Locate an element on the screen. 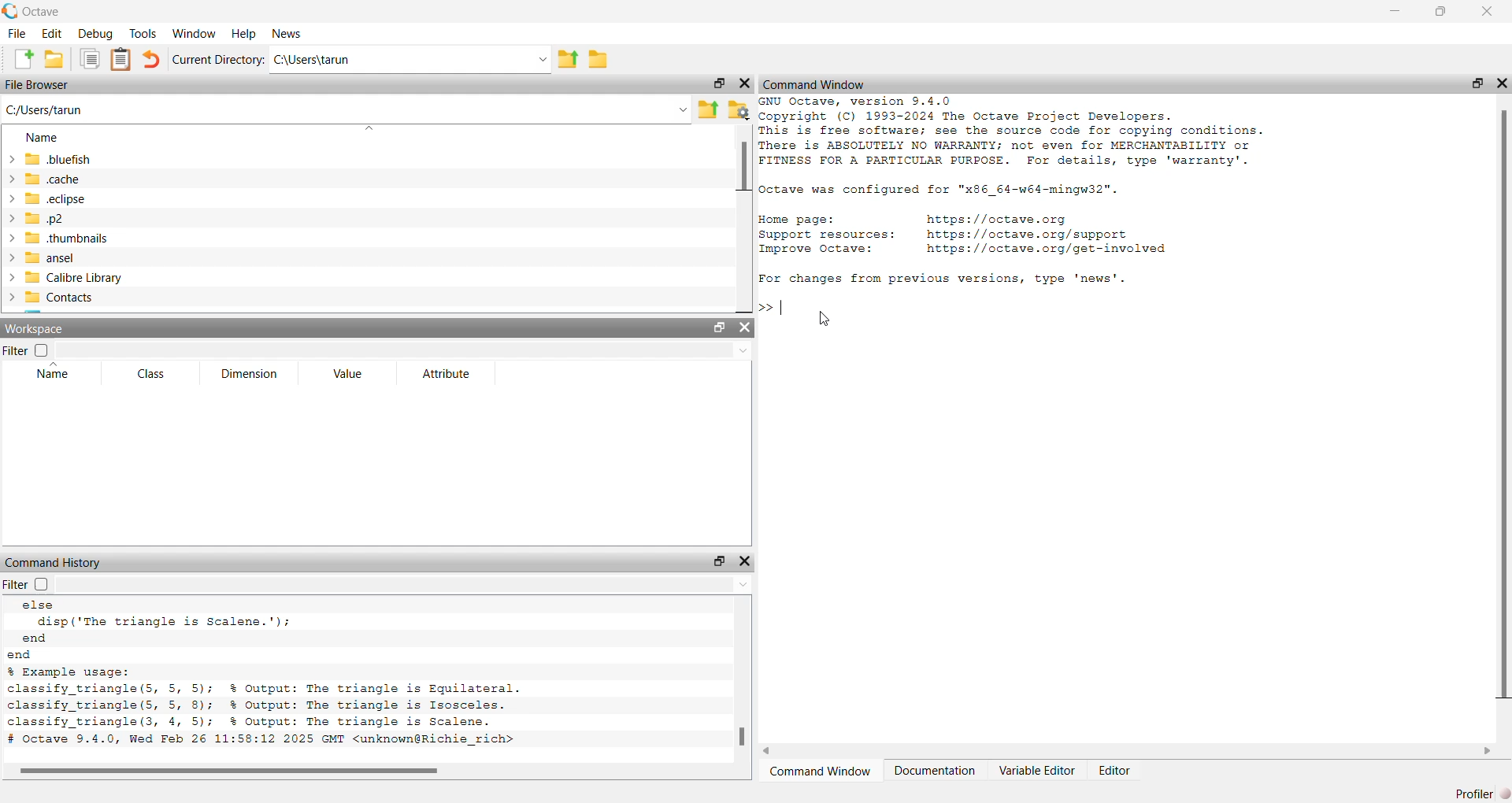  .bluefish is located at coordinates (48, 160).